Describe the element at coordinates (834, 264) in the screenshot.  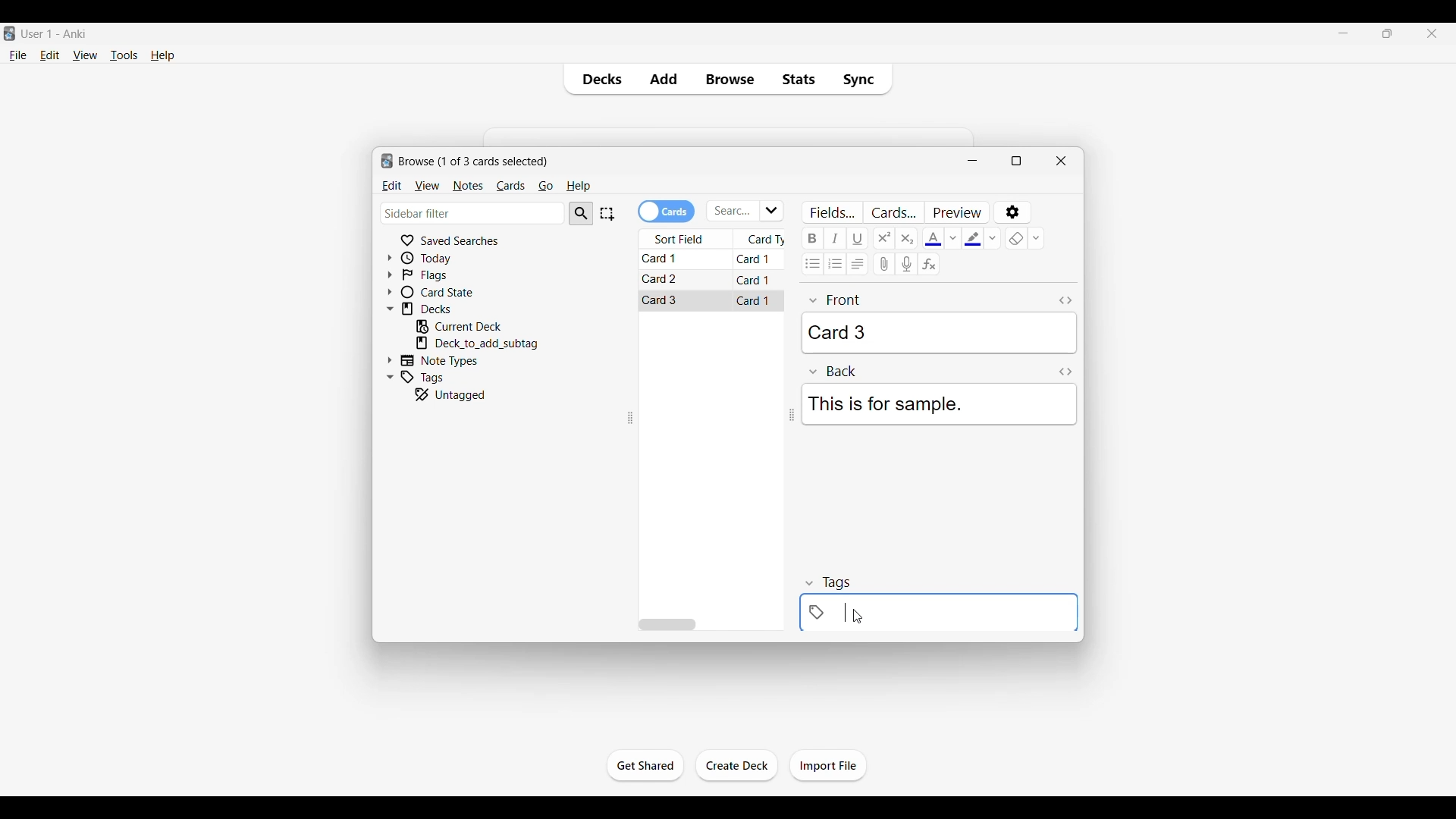
I see `Ordered list` at that location.